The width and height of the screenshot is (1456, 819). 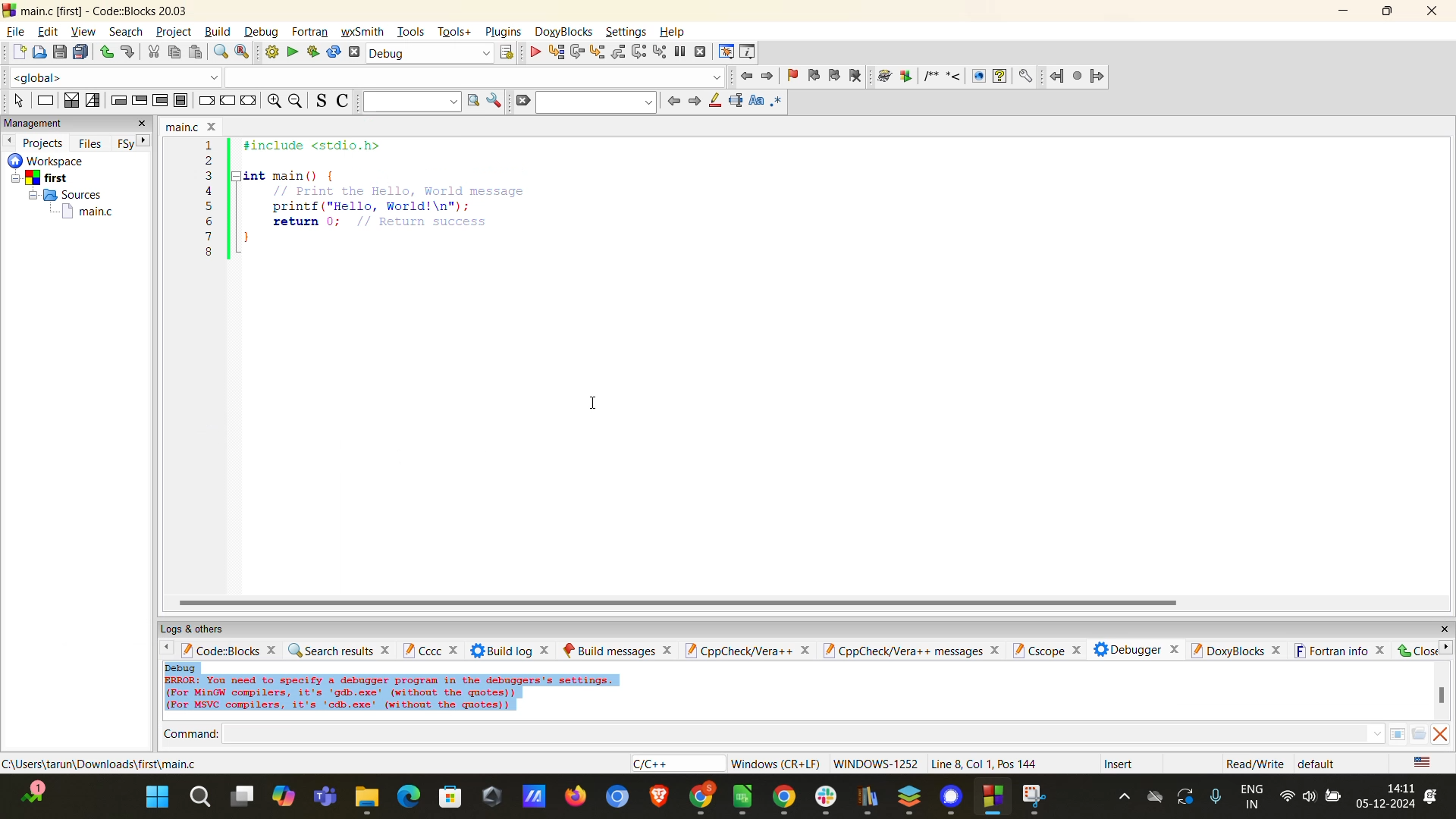 What do you see at coordinates (93, 102) in the screenshot?
I see `selection` at bounding box center [93, 102].